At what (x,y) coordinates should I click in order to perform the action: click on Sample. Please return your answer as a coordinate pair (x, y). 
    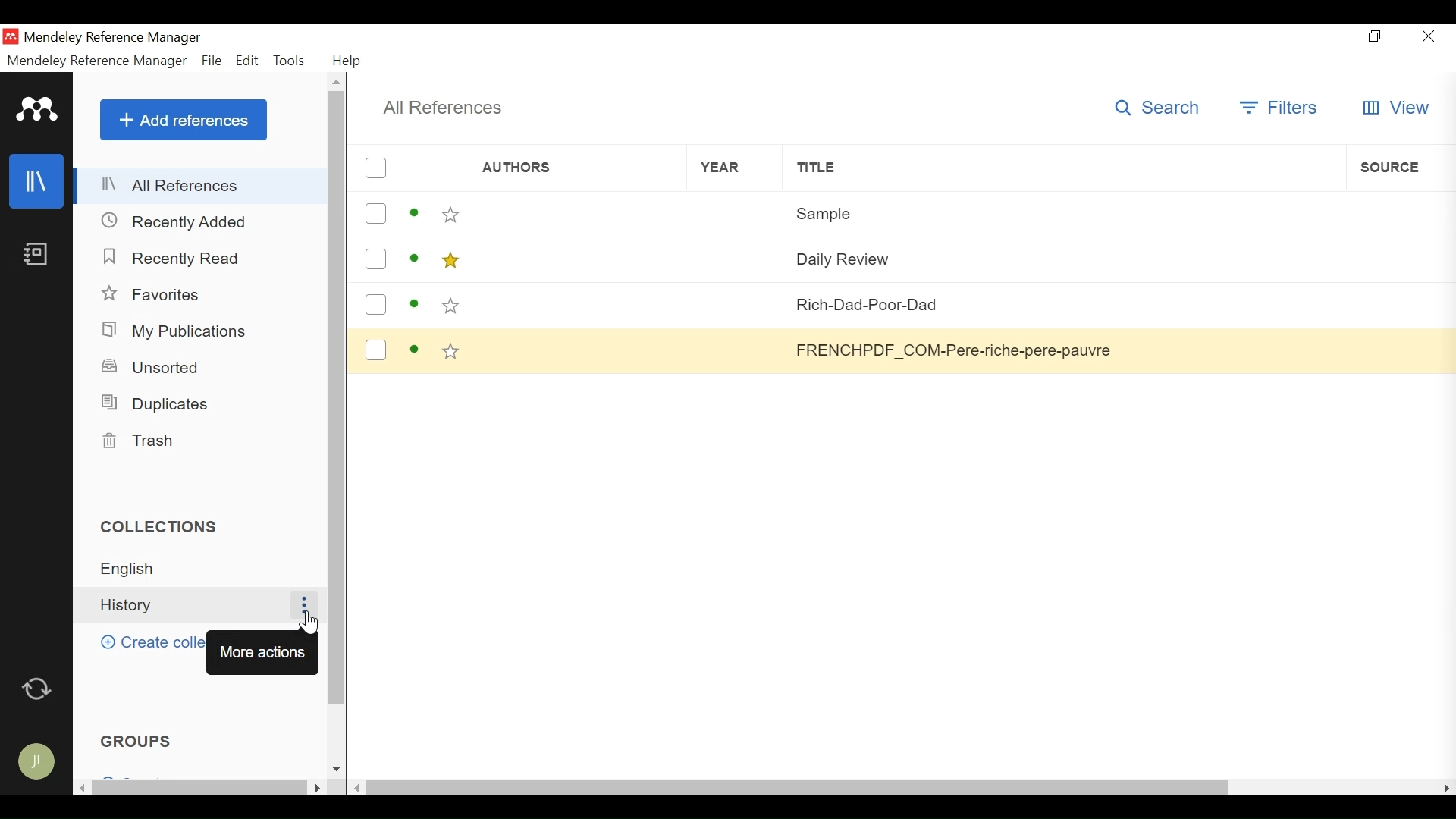
    Looking at the image, I should click on (1064, 212).